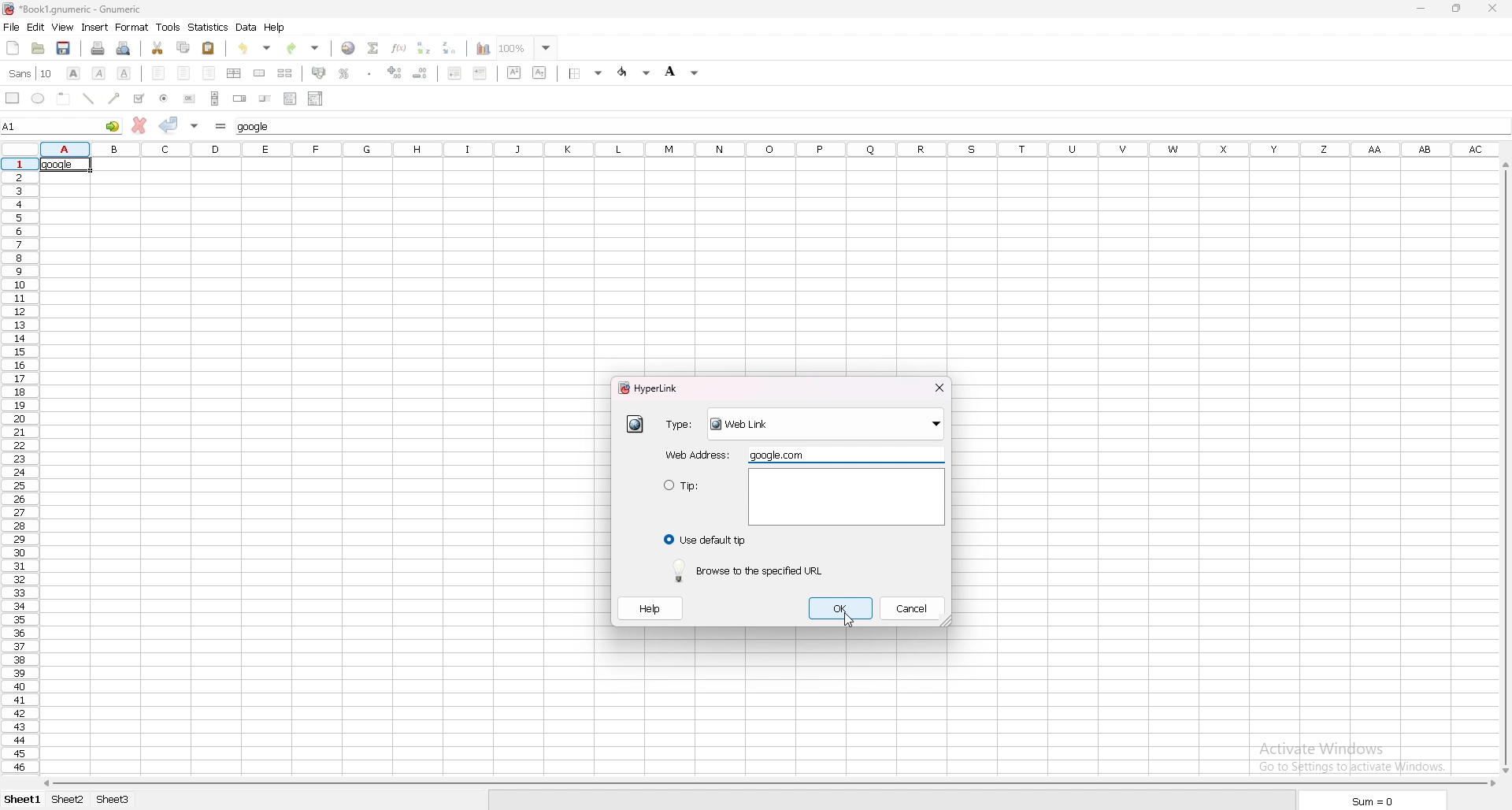  What do you see at coordinates (315, 98) in the screenshot?
I see `combo box` at bounding box center [315, 98].